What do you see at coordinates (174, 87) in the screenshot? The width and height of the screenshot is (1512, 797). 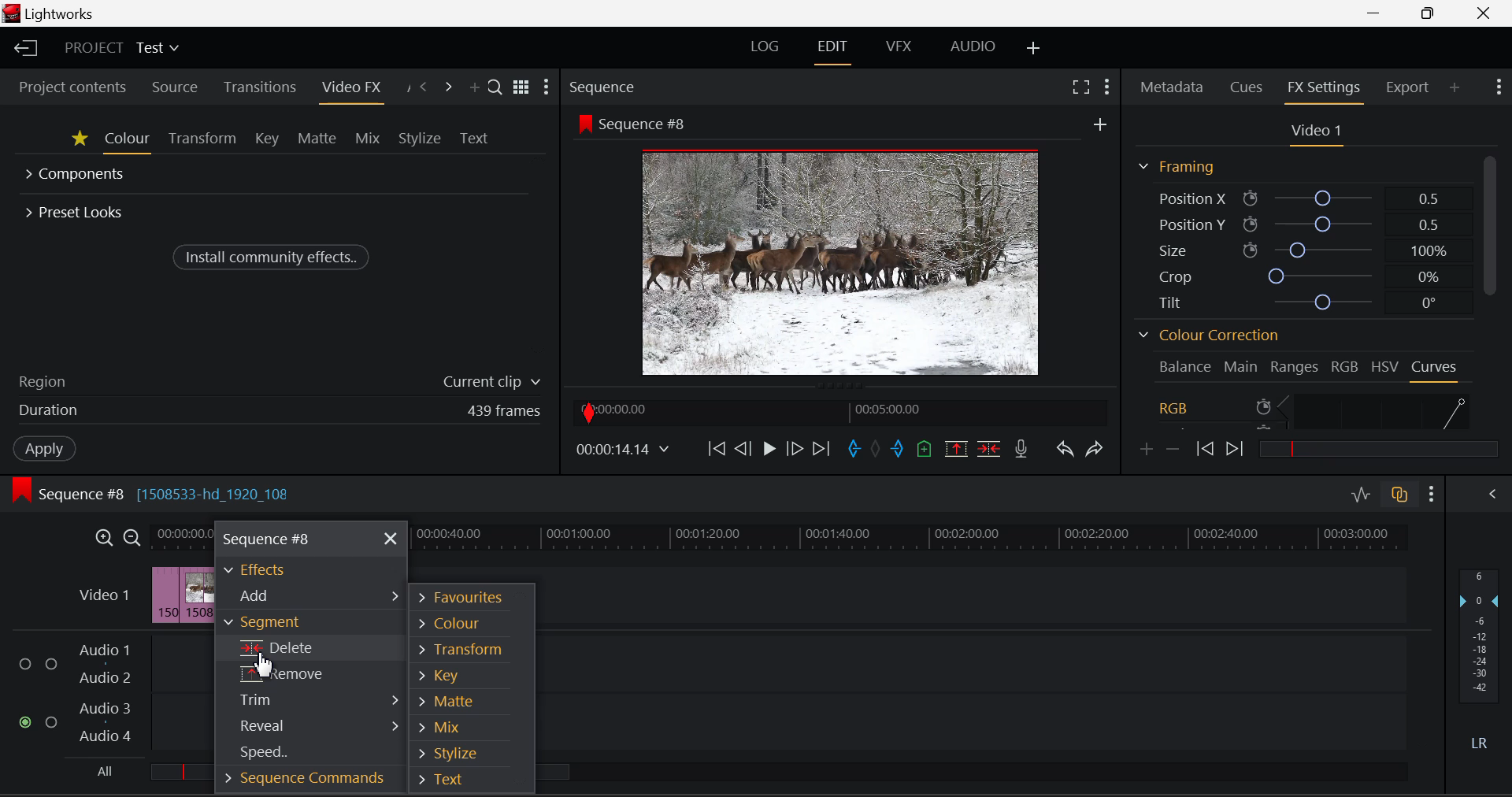 I see `Source` at bounding box center [174, 87].